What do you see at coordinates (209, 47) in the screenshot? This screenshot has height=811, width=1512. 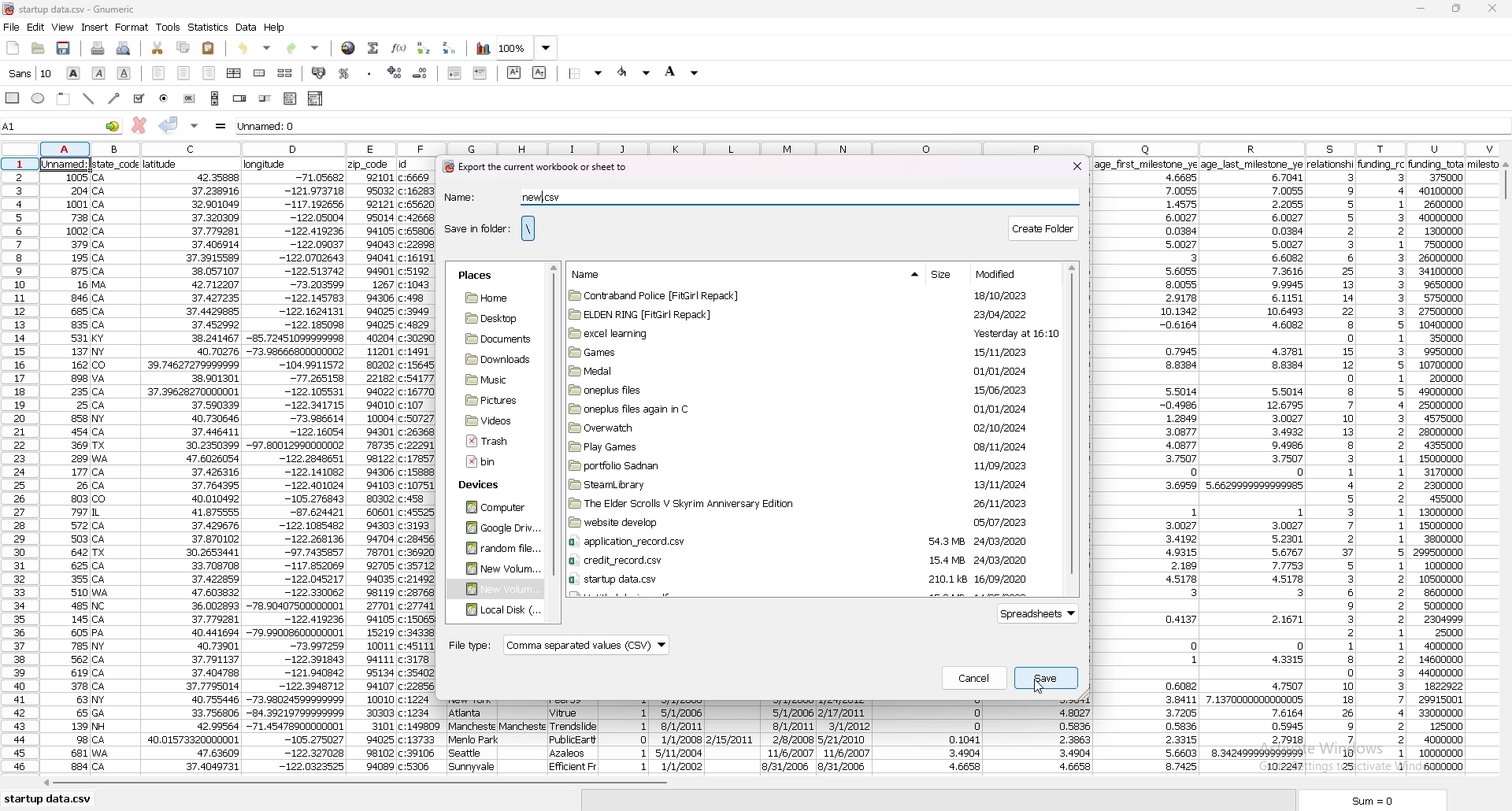 I see `paste` at bounding box center [209, 47].